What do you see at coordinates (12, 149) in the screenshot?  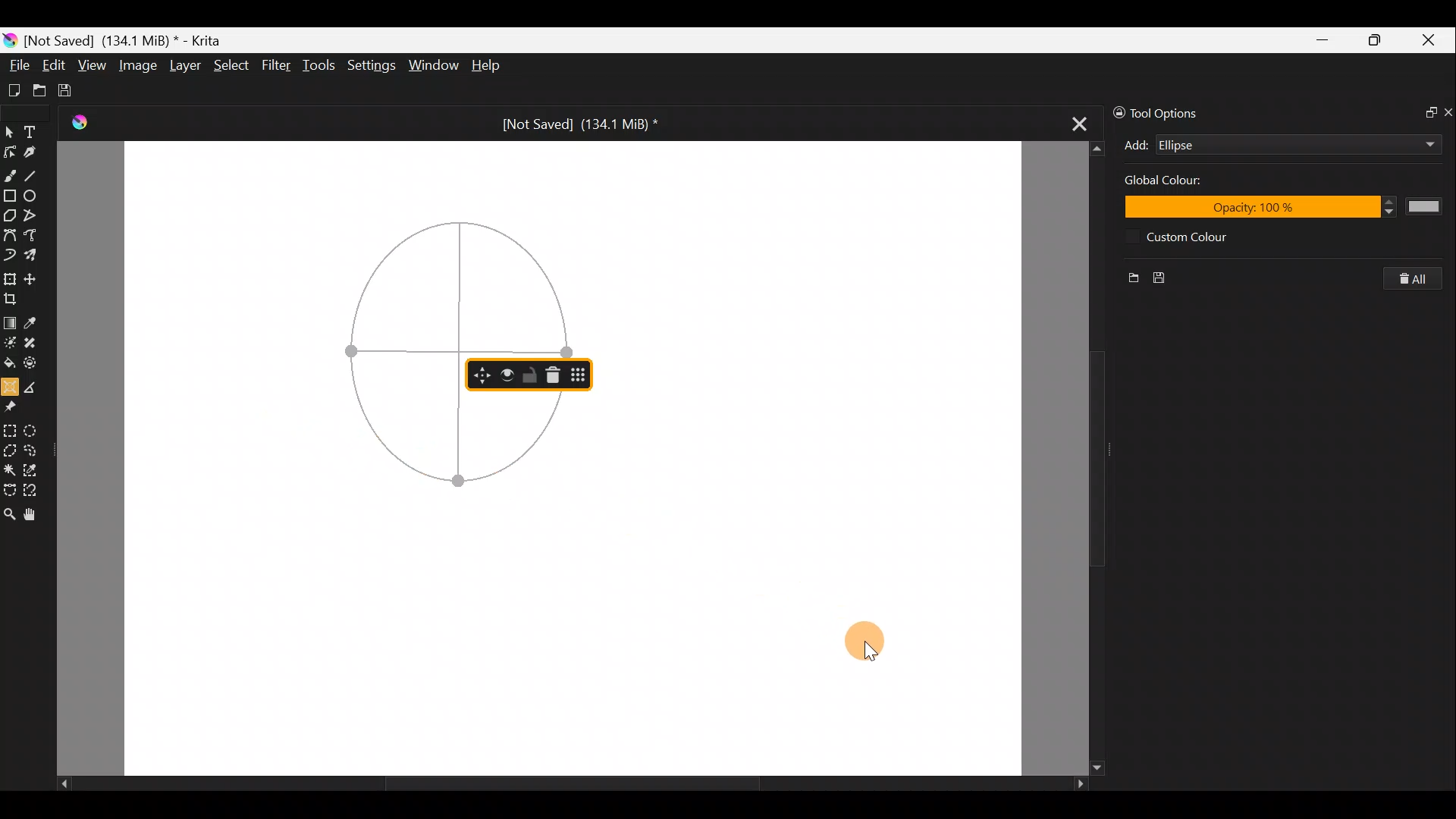 I see `Edit shapes tool` at bounding box center [12, 149].